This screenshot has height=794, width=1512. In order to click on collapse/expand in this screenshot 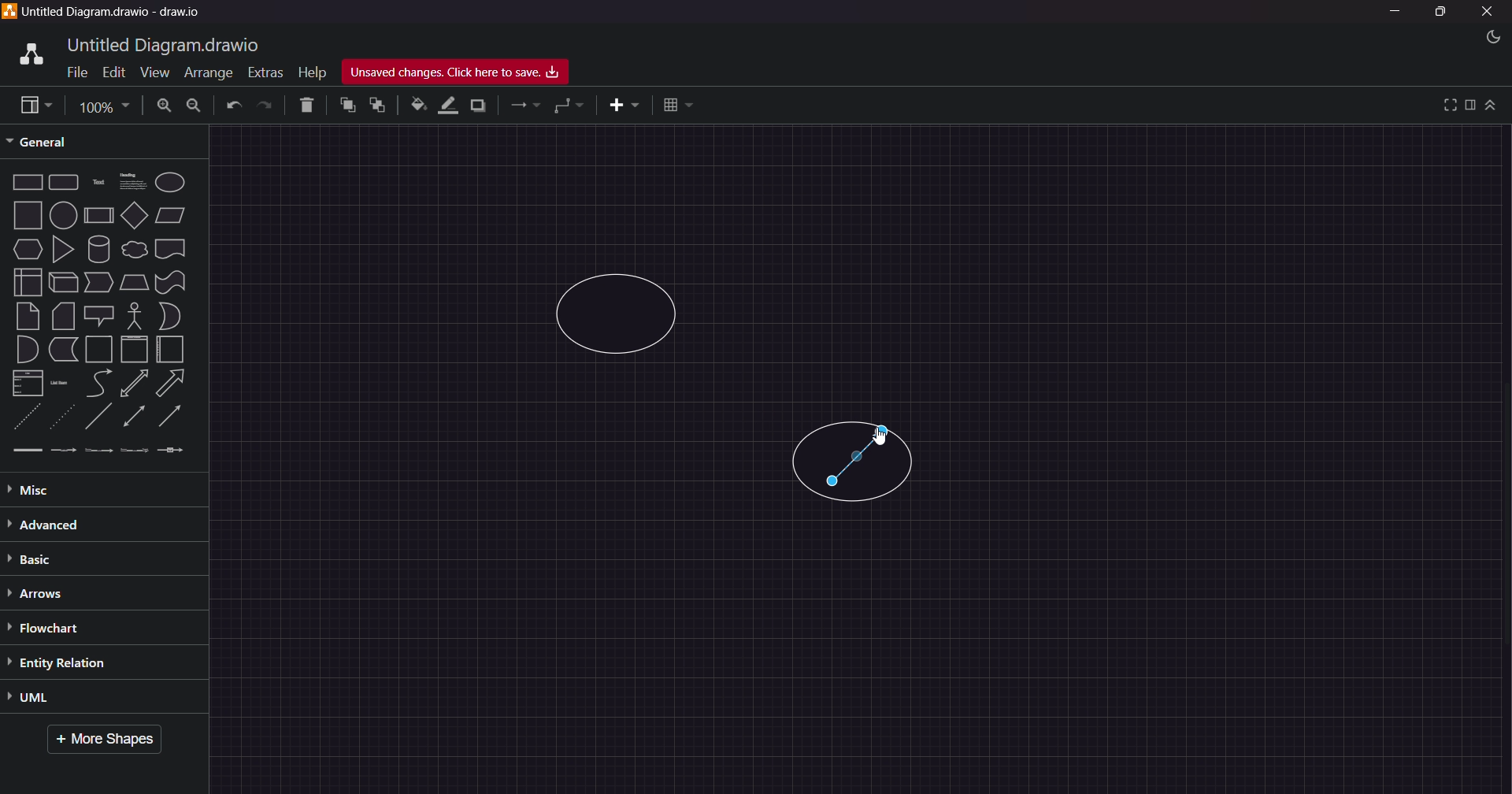, I will do `click(1492, 106)`.